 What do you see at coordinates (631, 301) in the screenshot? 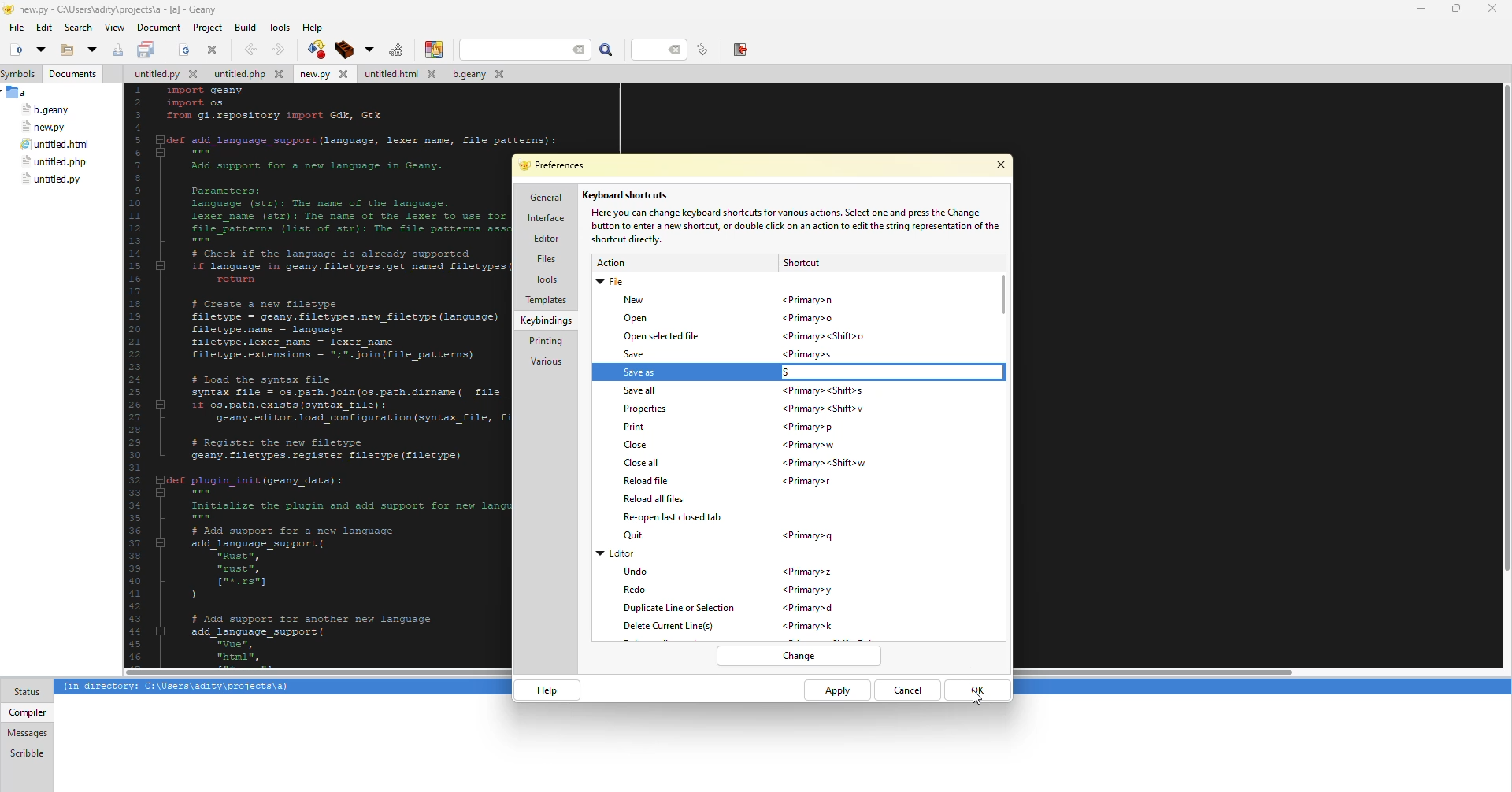
I see `new` at bounding box center [631, 301].